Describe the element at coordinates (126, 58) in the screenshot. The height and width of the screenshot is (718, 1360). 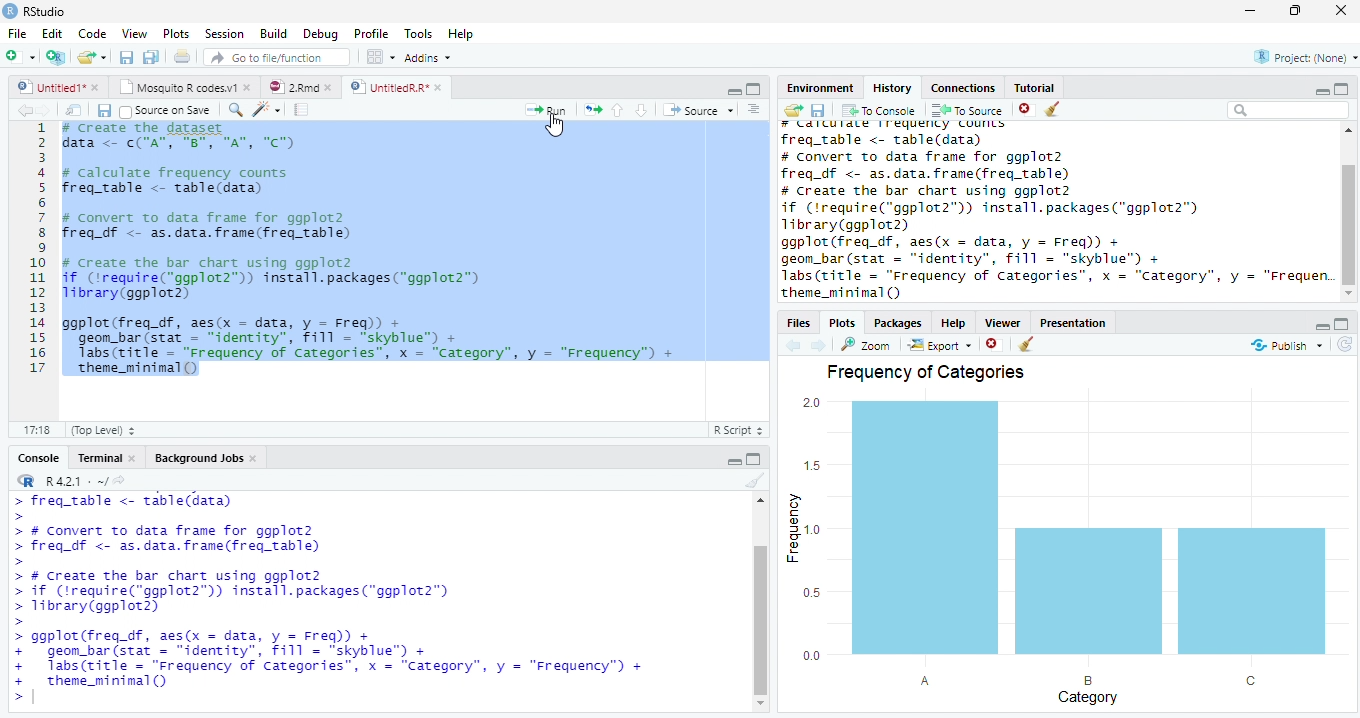
I see `Save` at that location.